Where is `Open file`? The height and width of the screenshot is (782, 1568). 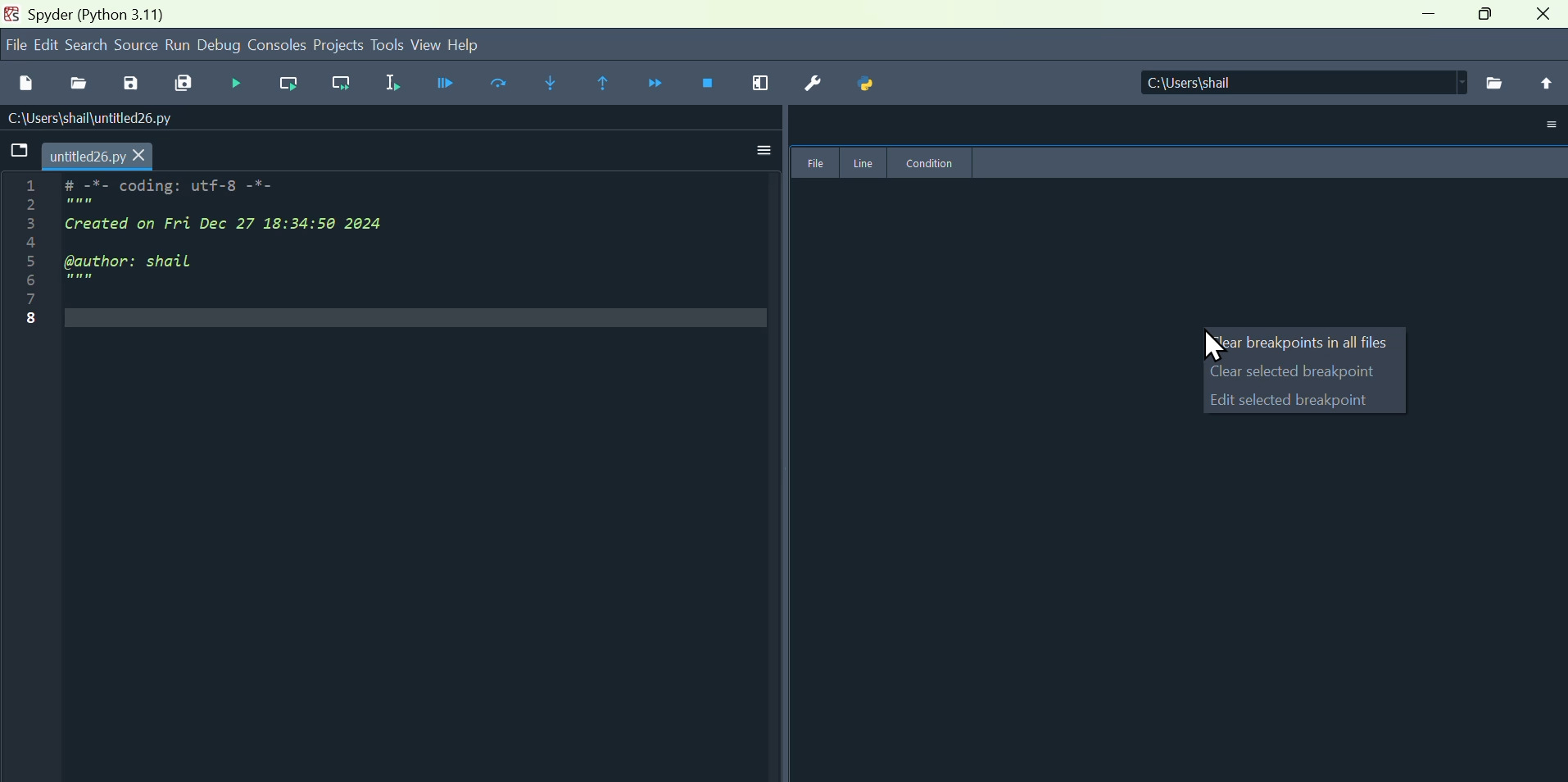 Open file is located at coordinates (84, 85).